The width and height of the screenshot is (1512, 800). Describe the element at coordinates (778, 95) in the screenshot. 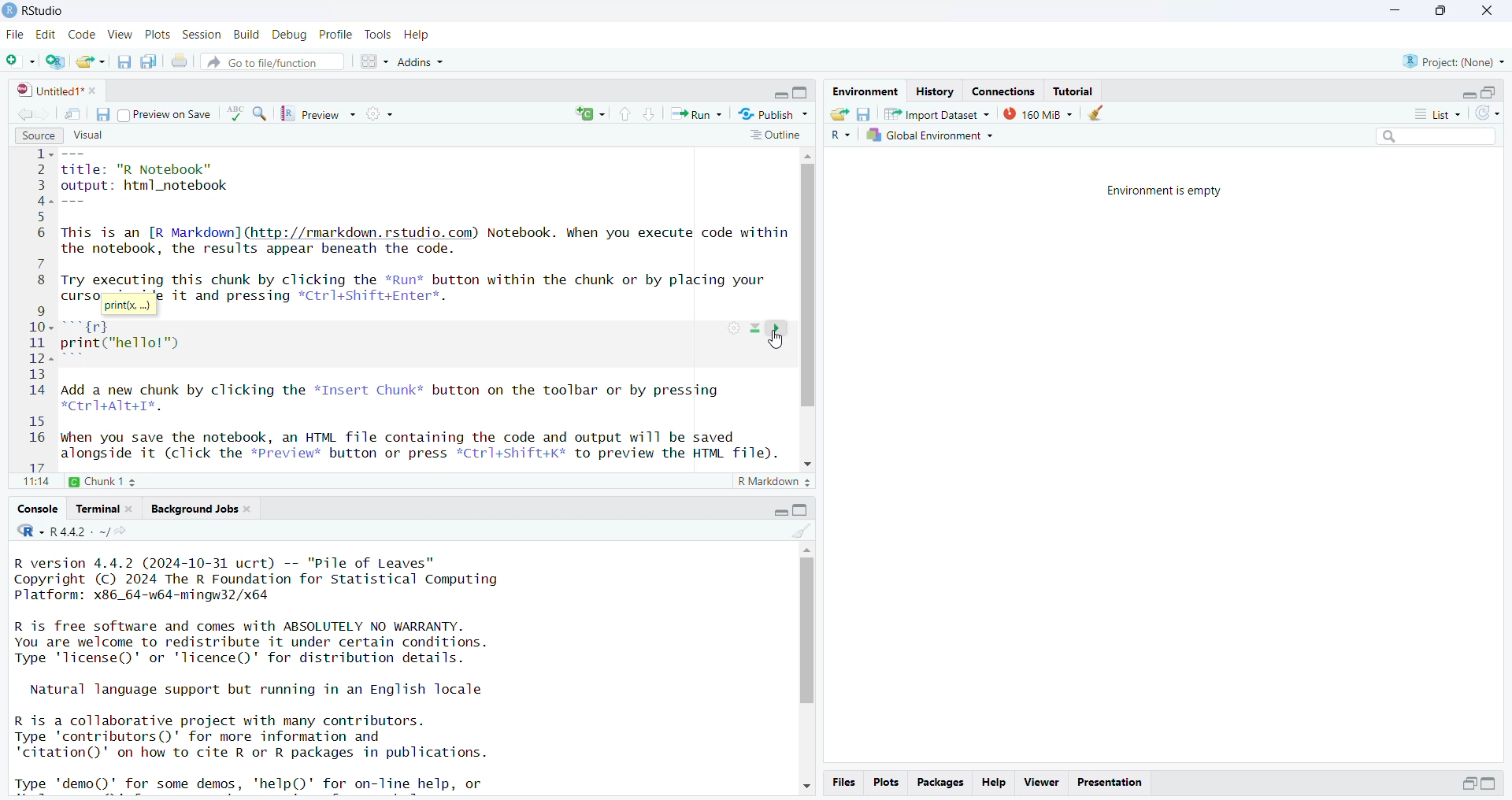

I see `expand` at that location.